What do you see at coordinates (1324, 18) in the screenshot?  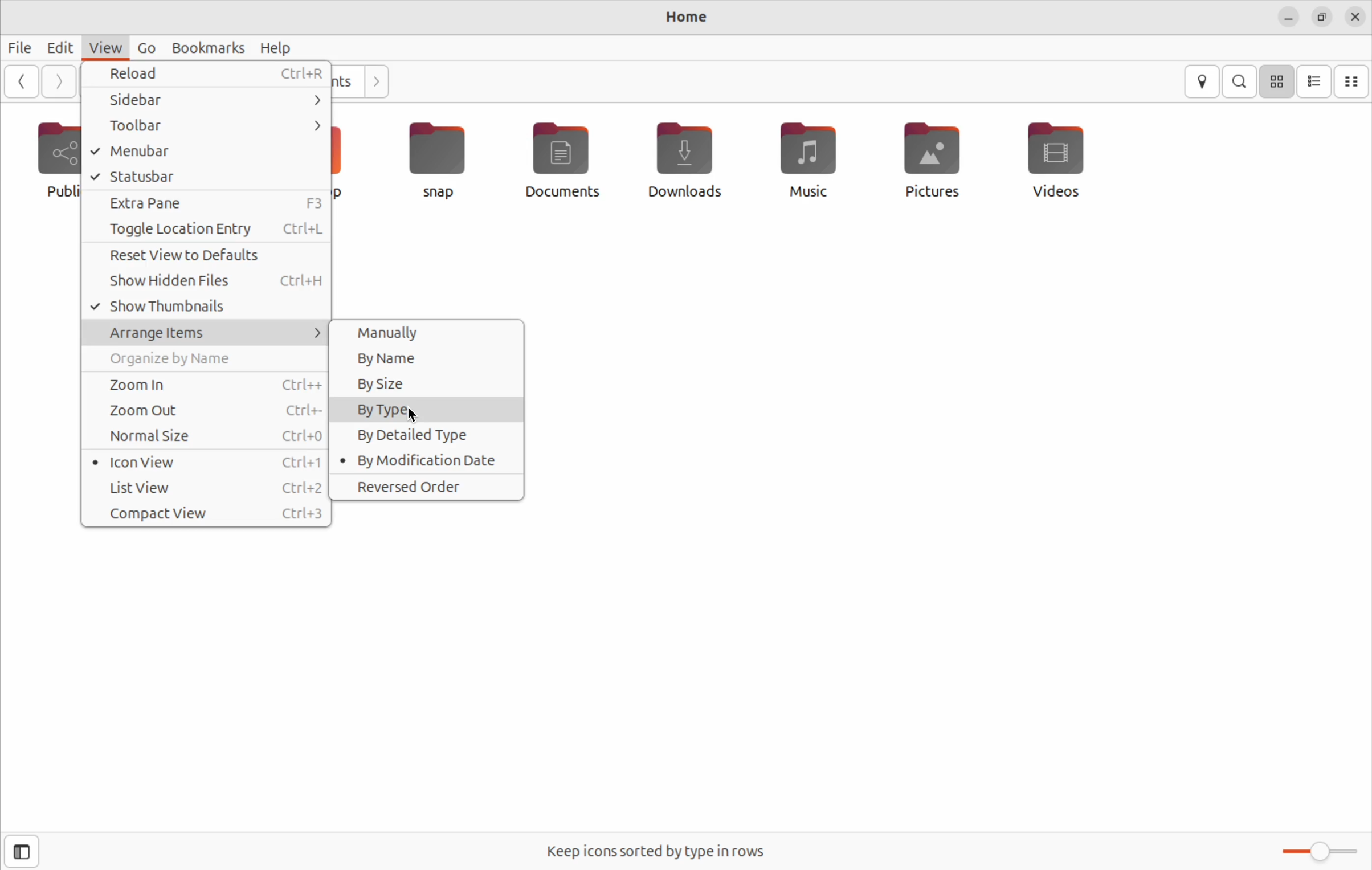 I see `resize` at bounding box center [1324, 18].